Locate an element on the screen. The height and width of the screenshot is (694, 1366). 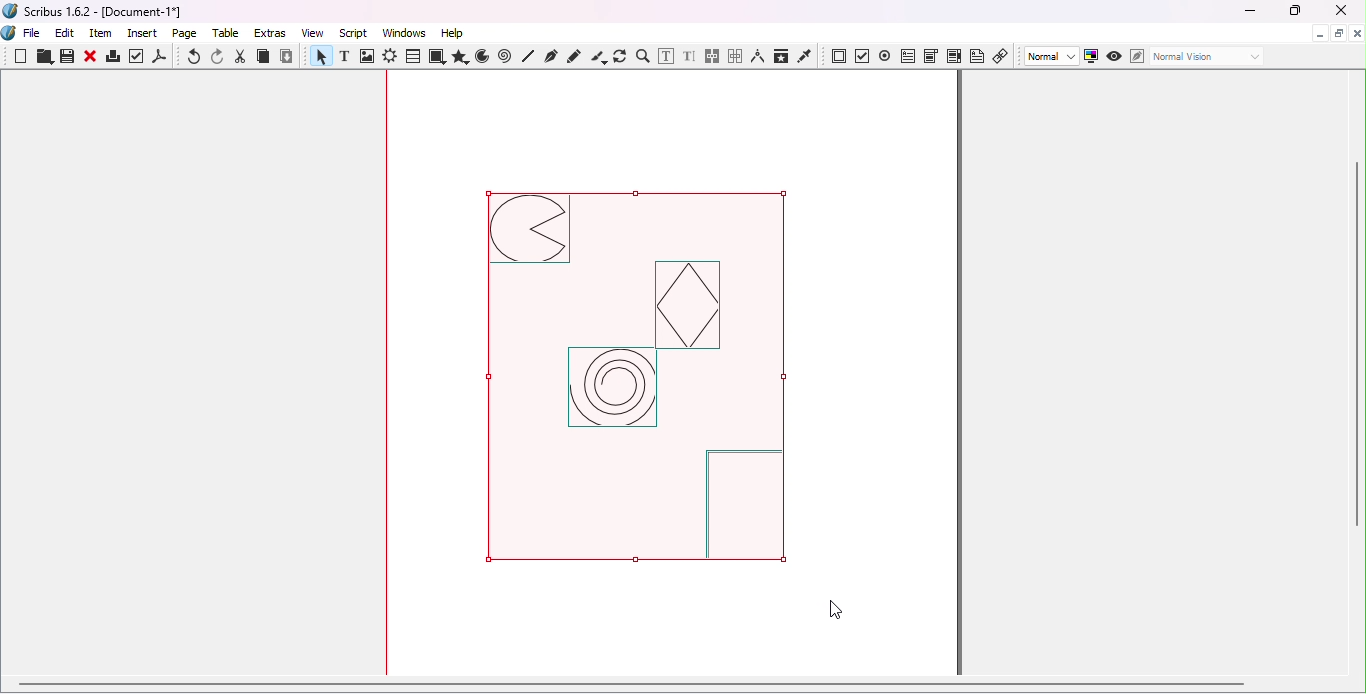
Help is located at coordinates (452, 33).